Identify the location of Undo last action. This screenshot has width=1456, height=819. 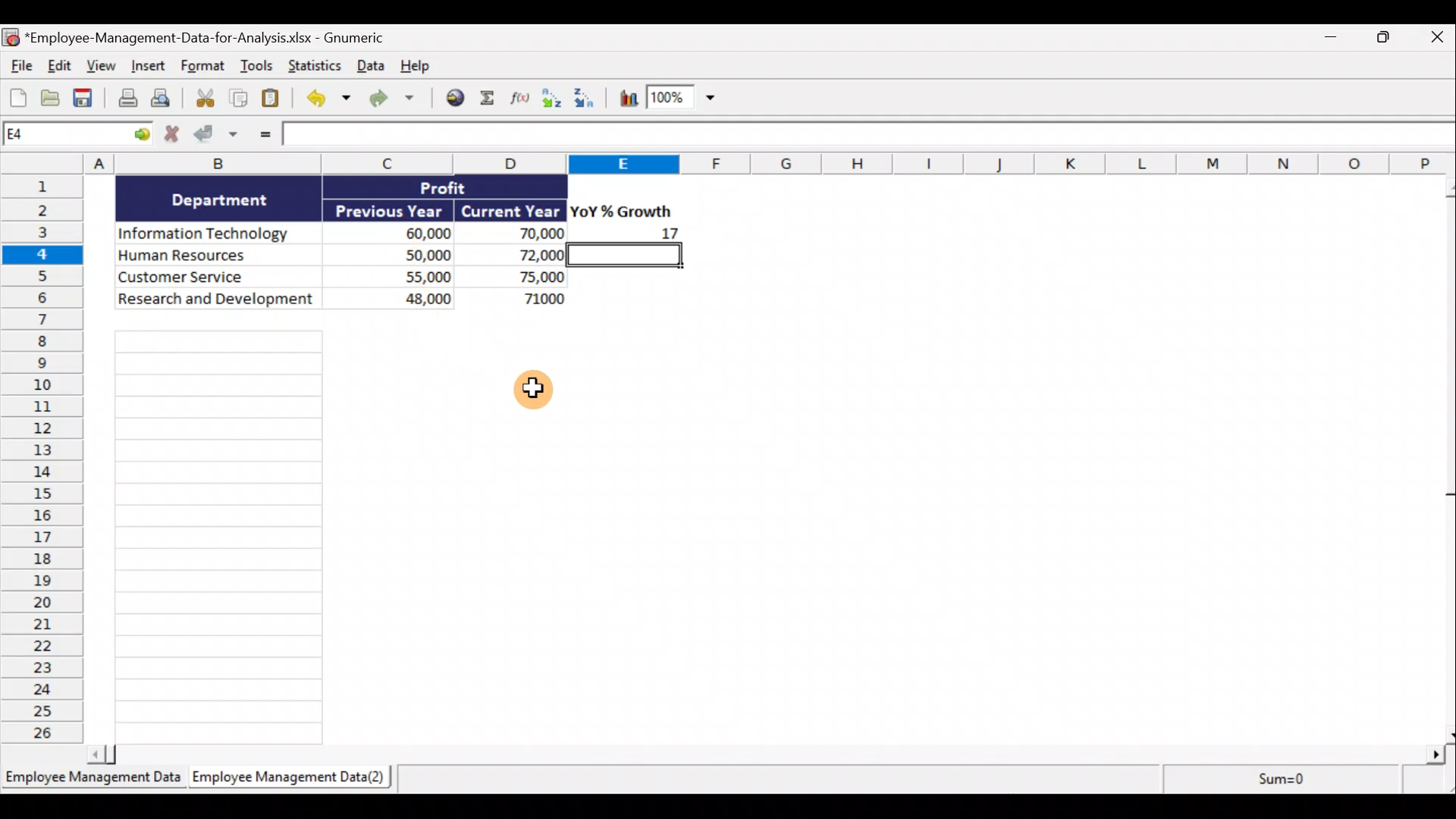
(325, 99).